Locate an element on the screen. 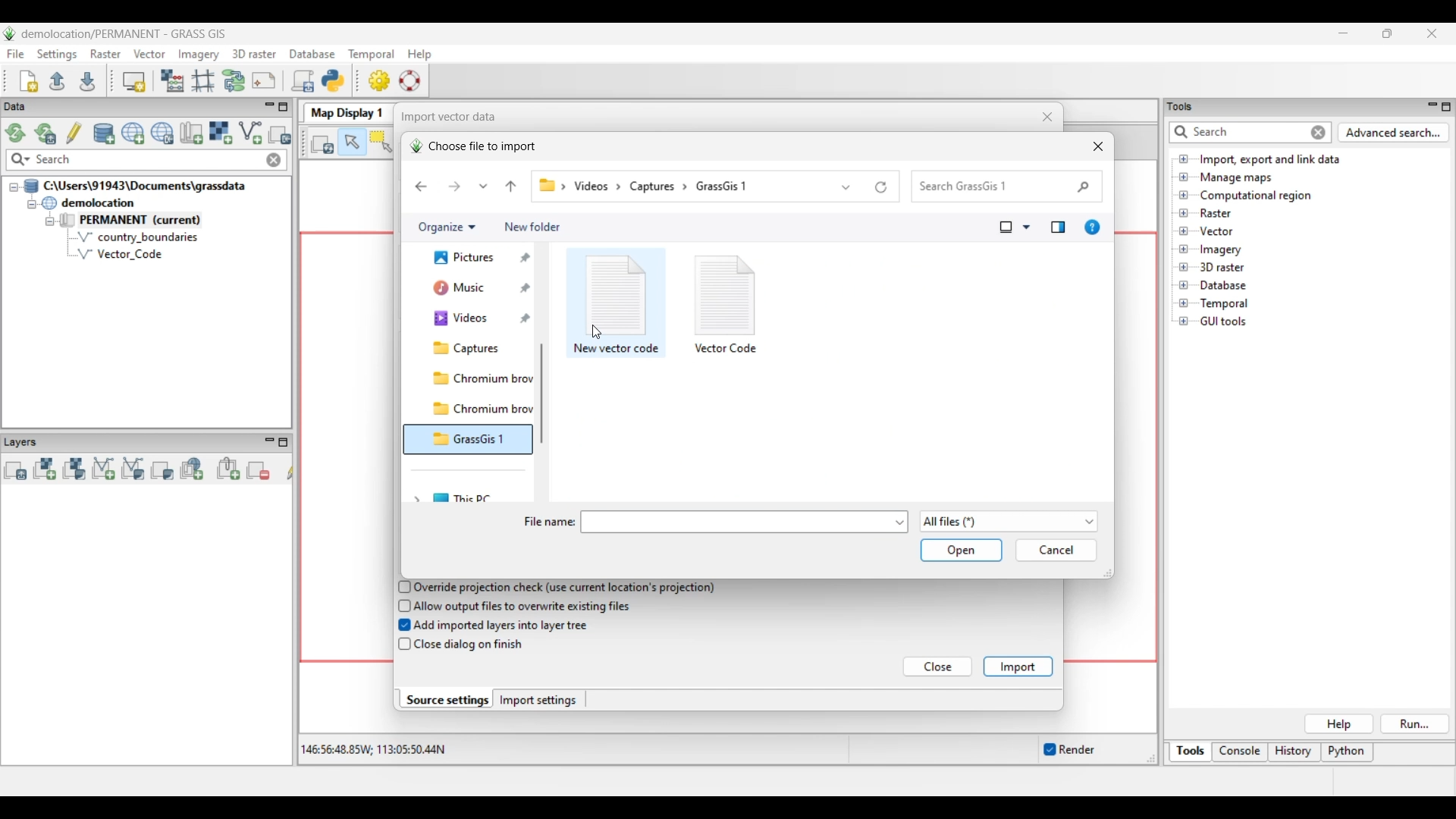 This screenshot has width=1456, height=819. Georectifier is located at coordinates (203, 81).